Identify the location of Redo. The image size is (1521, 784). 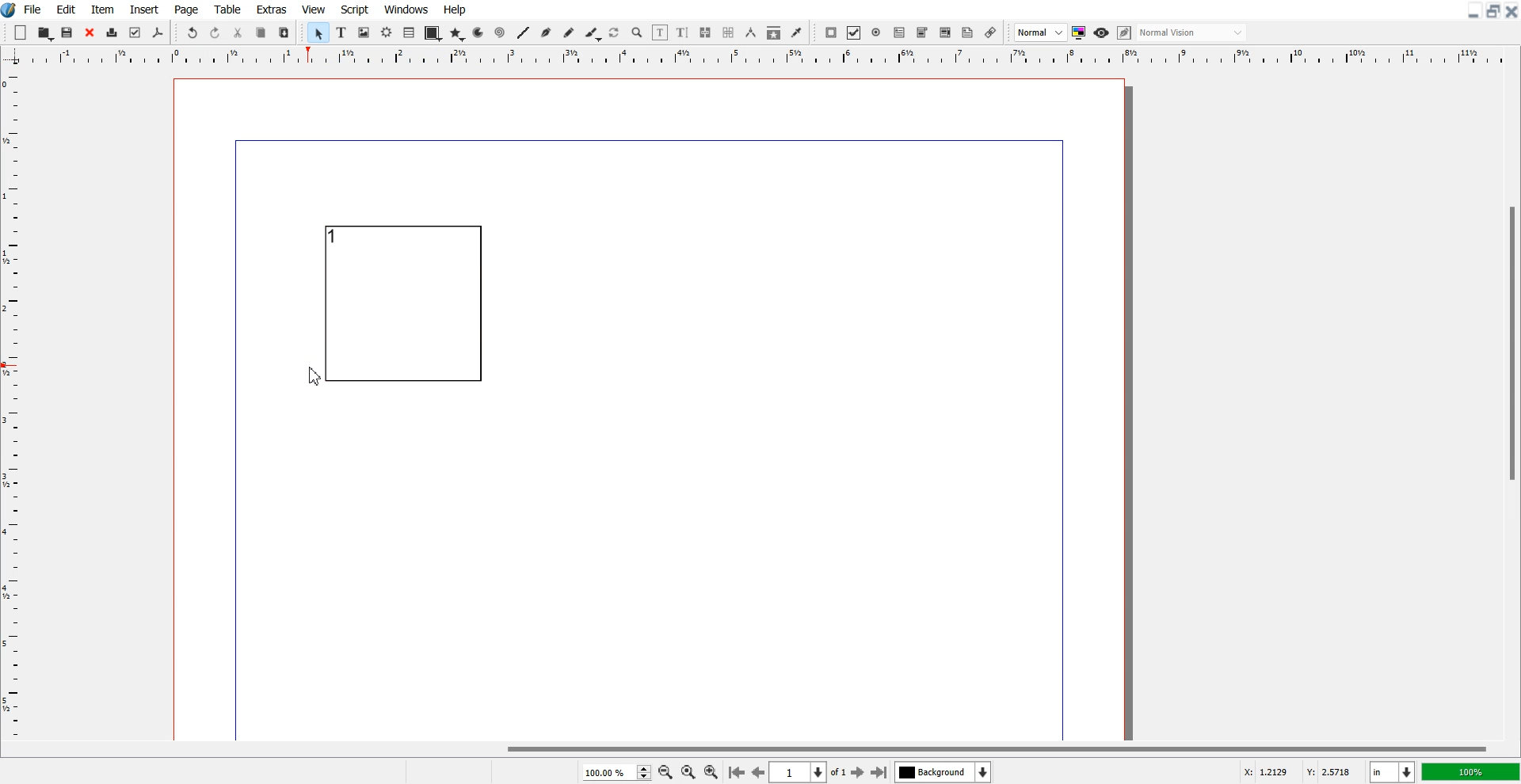
(215, 33).